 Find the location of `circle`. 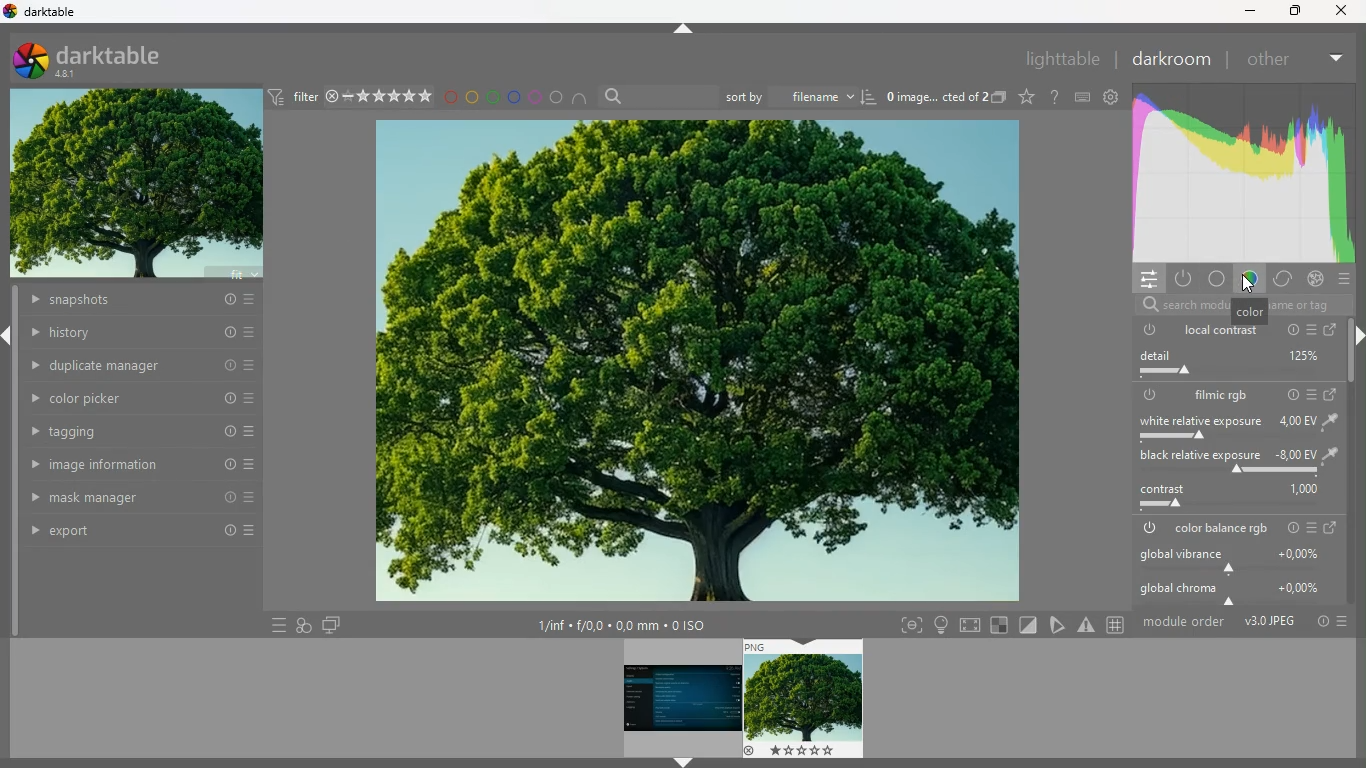

circle is located at coordinates (558, 98).